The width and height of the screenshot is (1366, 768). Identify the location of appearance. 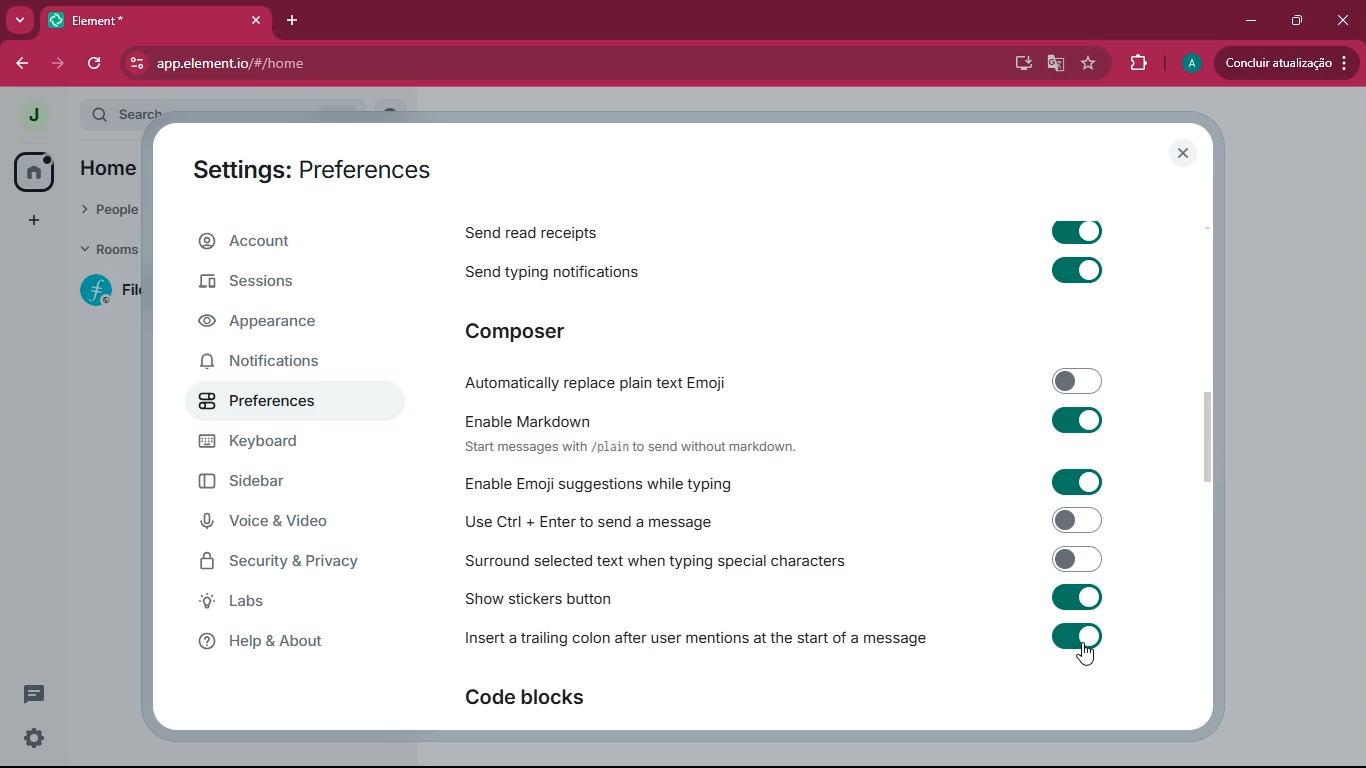
(277, 324).